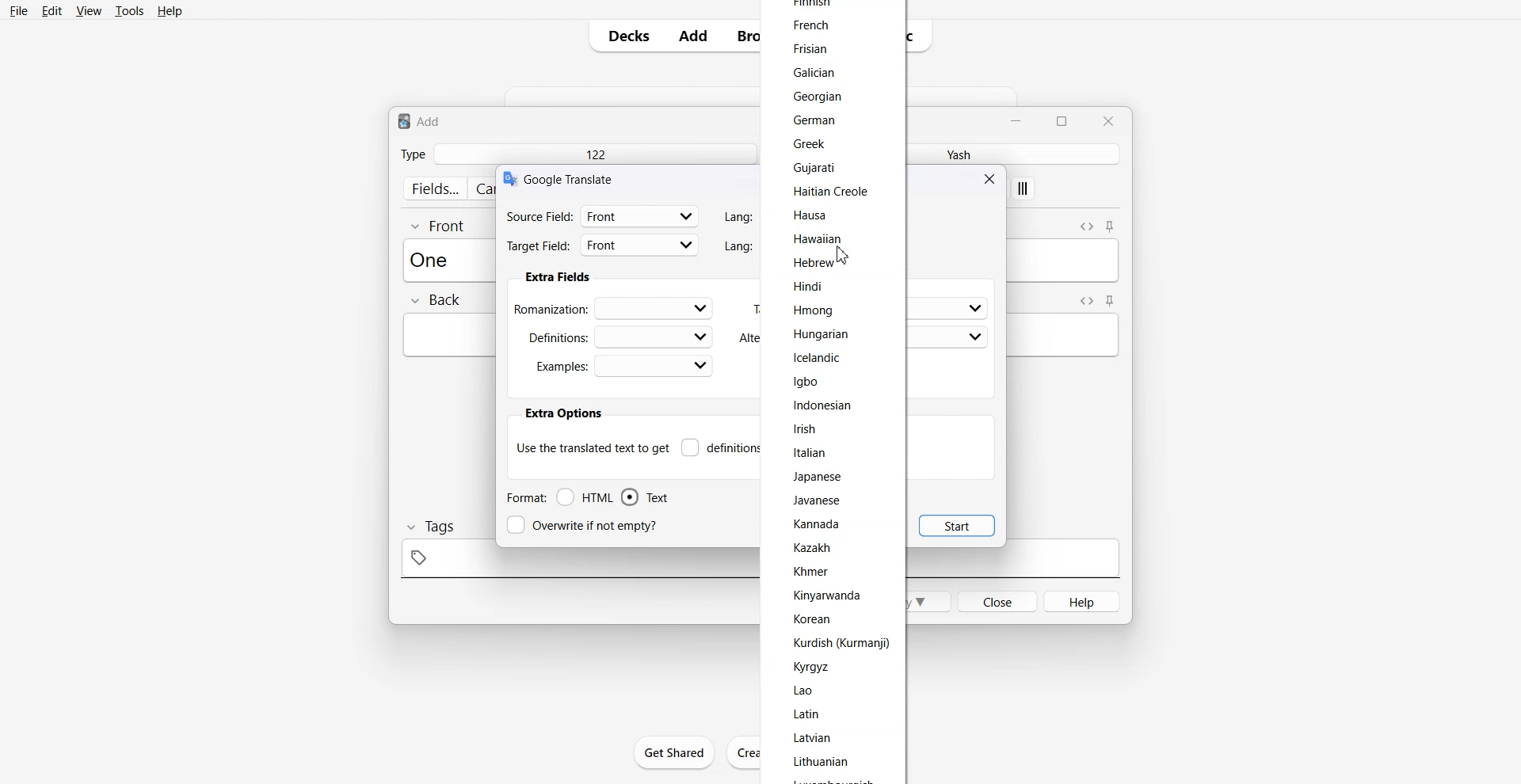  I want to click on Back, so click(435, 301).